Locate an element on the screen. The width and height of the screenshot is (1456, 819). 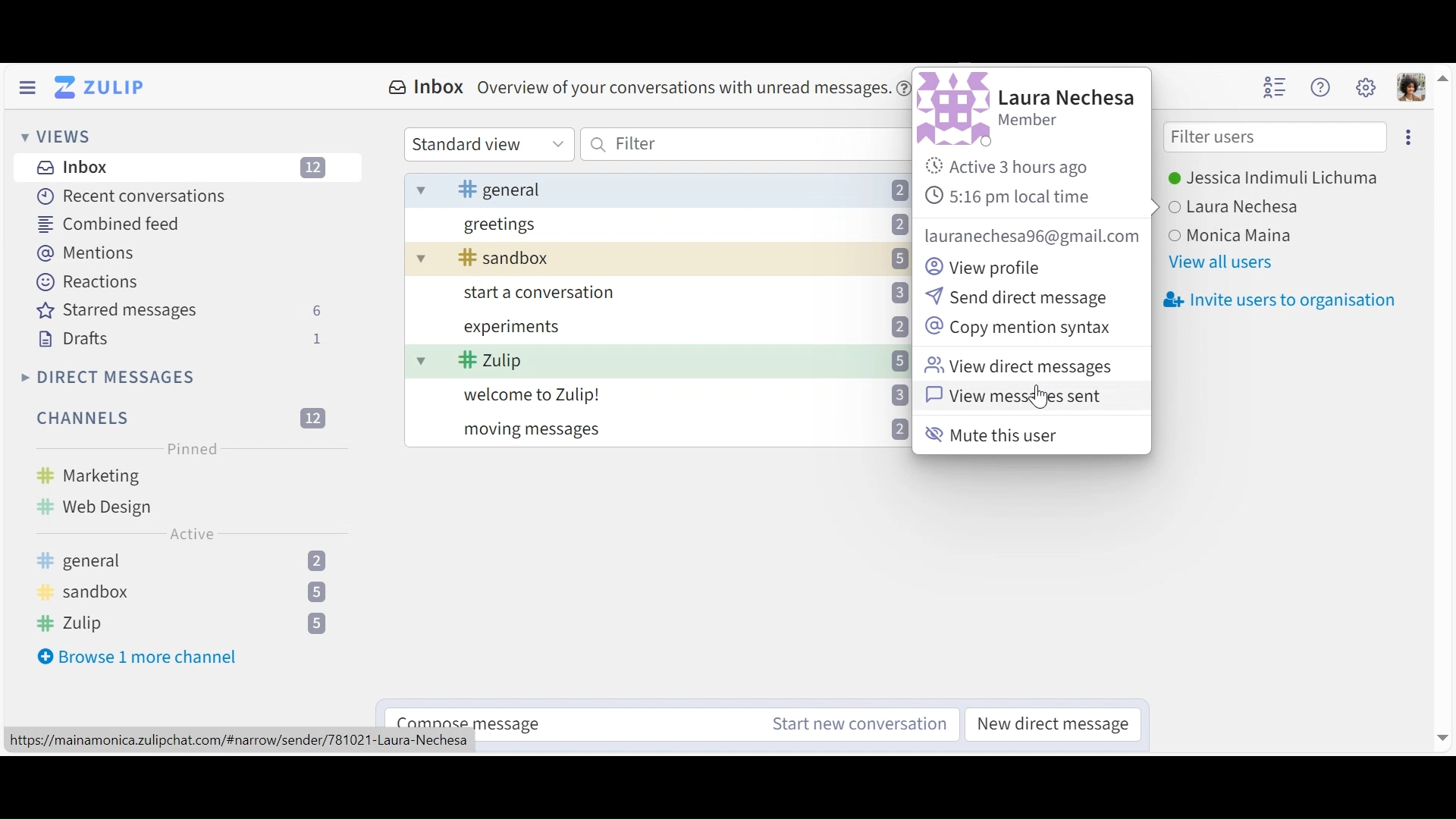
user 3 is located at coordinates (1229, 236).